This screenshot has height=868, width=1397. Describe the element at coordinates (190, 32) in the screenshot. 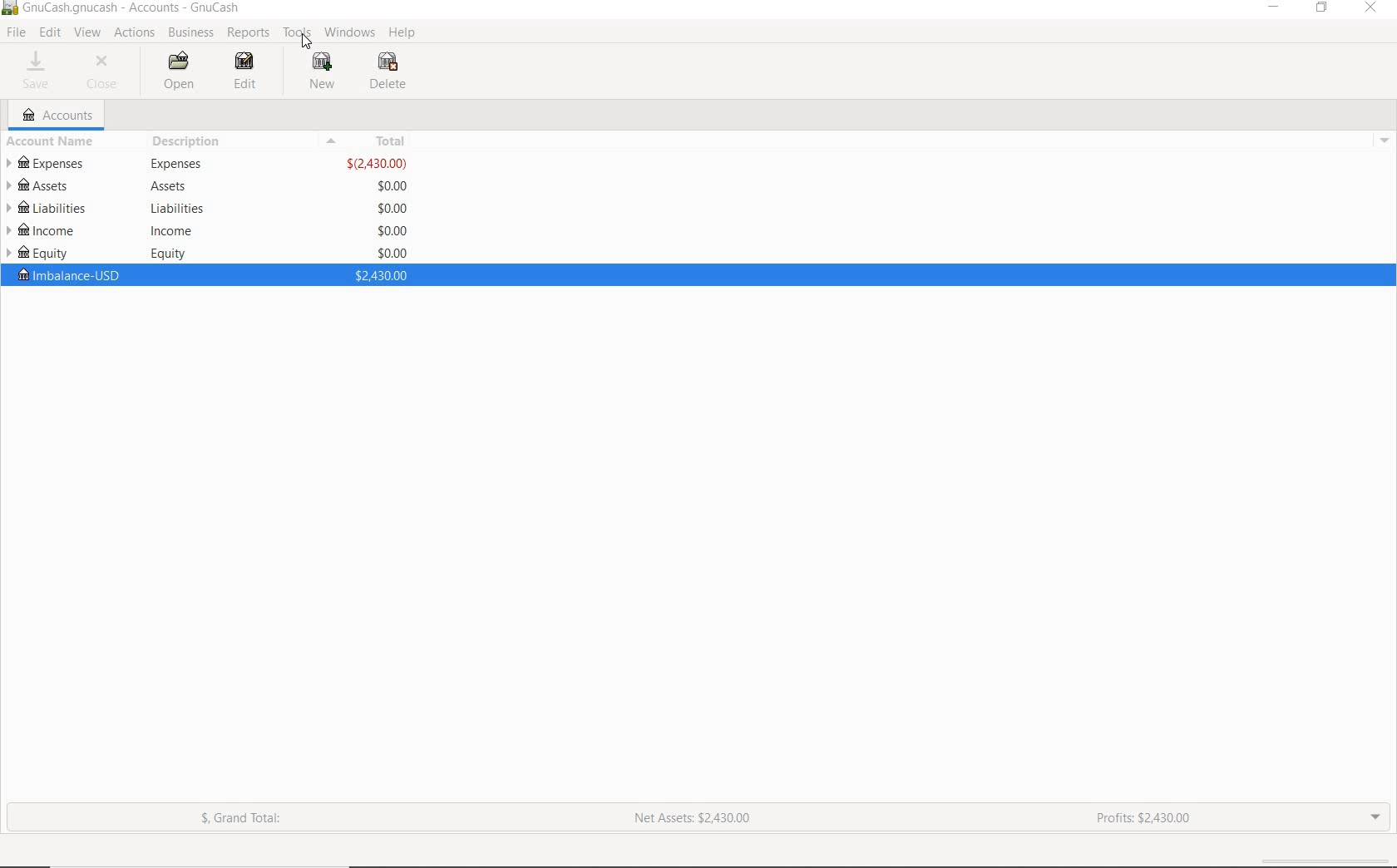

I see `BUSINESS` at that location.